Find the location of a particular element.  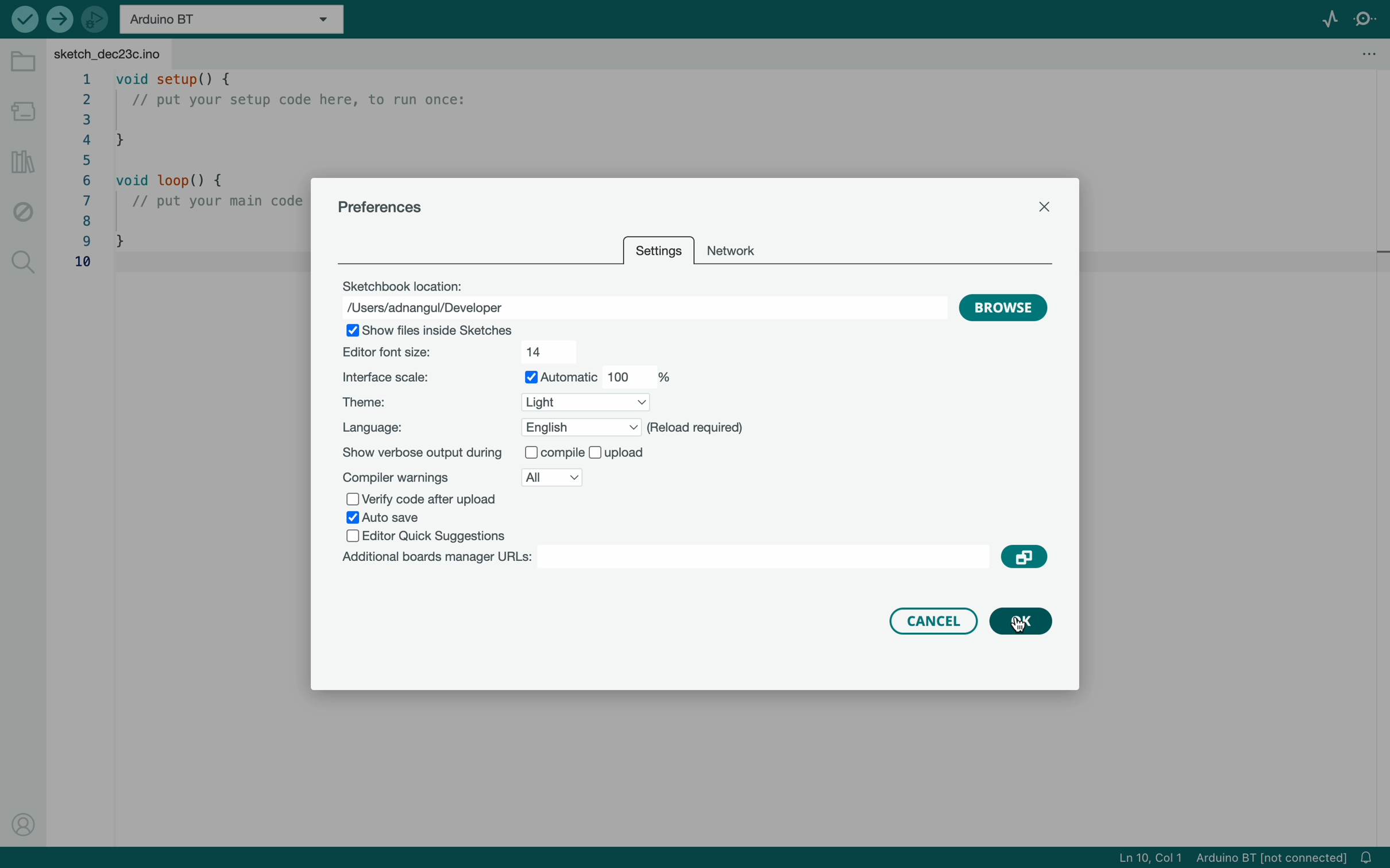

file tab is located at coordinates (133, 55).